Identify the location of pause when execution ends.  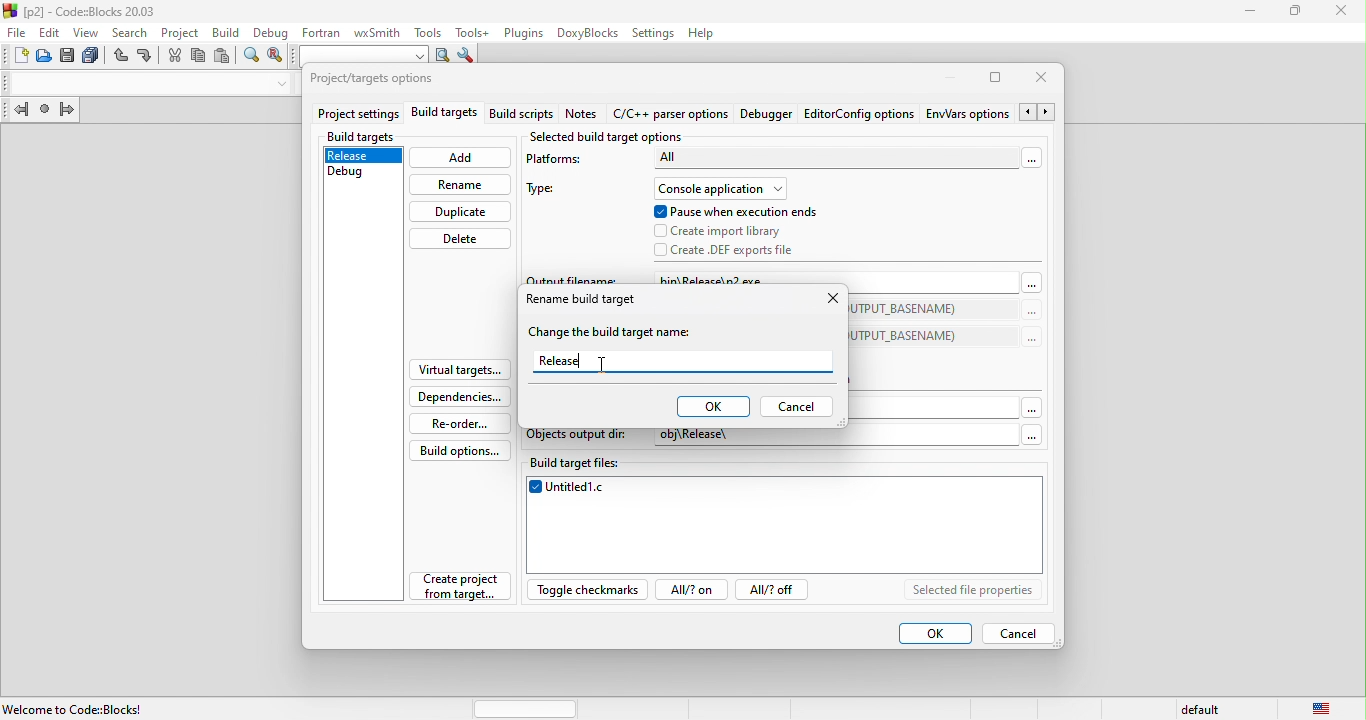
(736, 212).